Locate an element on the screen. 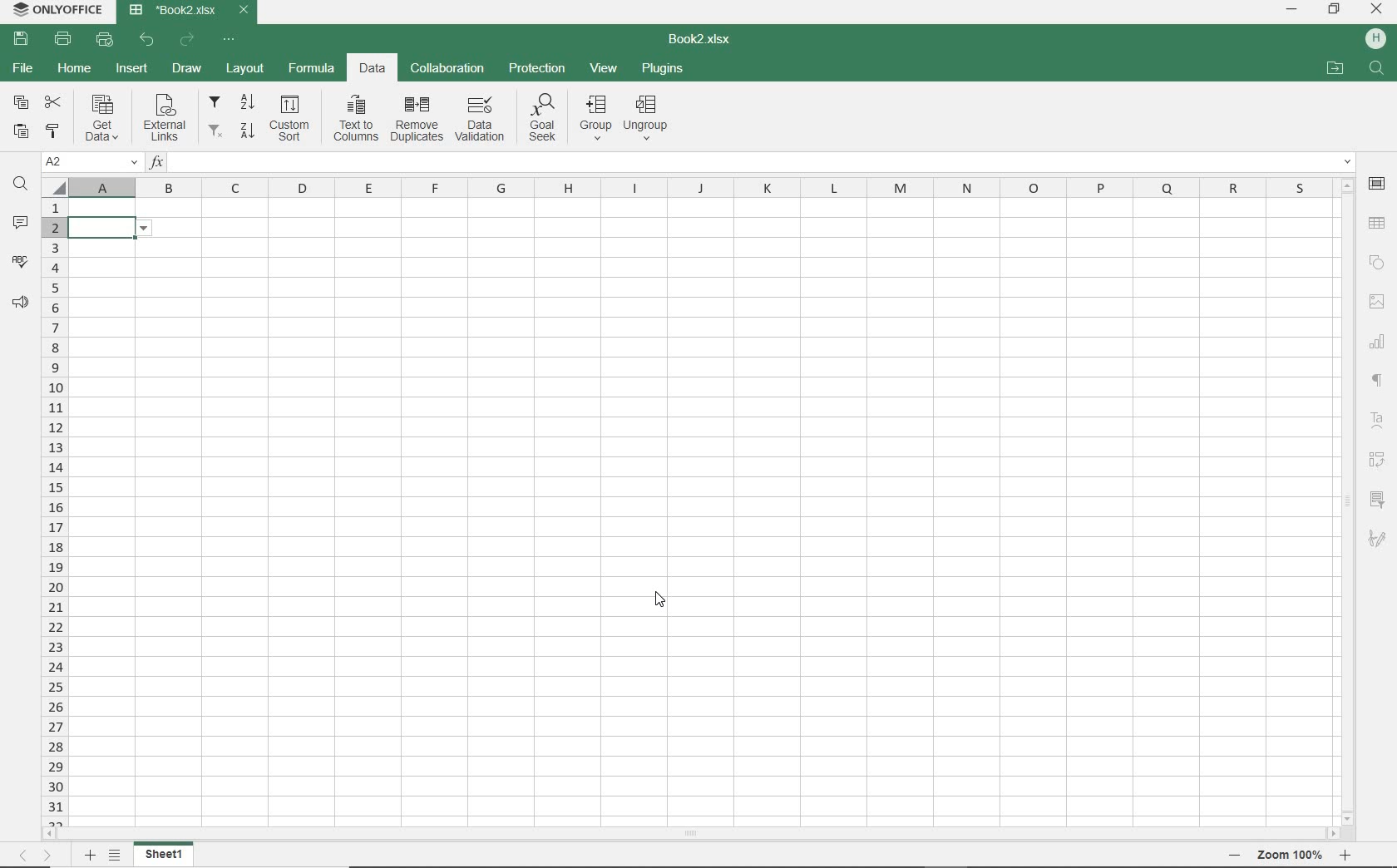 The width and height of the screenshot is (1397, 868). NAME MANAGER is located at coordinates (90, 163).